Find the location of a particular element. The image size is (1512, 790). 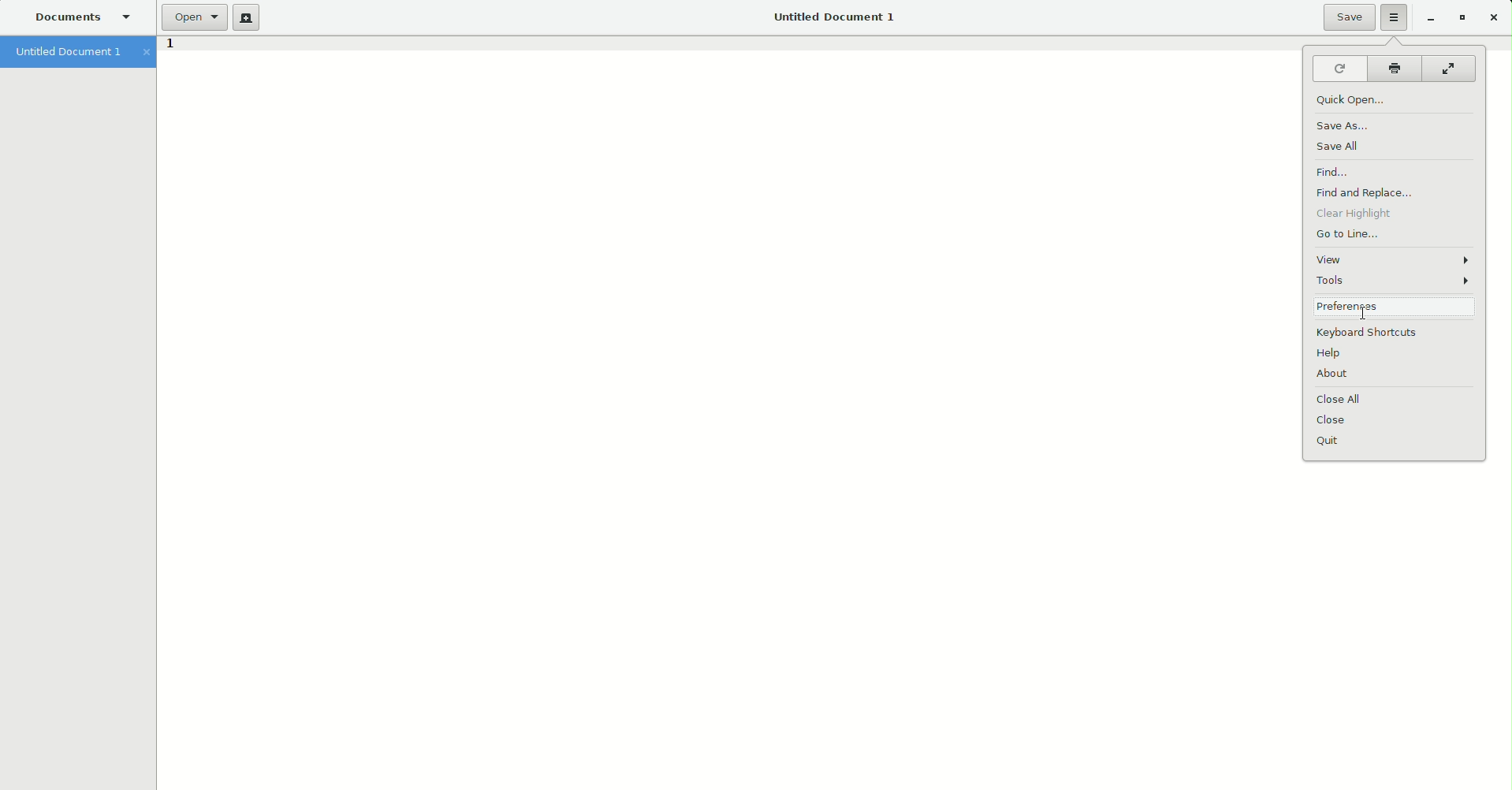

Print is located at coordinates (1391, 69).